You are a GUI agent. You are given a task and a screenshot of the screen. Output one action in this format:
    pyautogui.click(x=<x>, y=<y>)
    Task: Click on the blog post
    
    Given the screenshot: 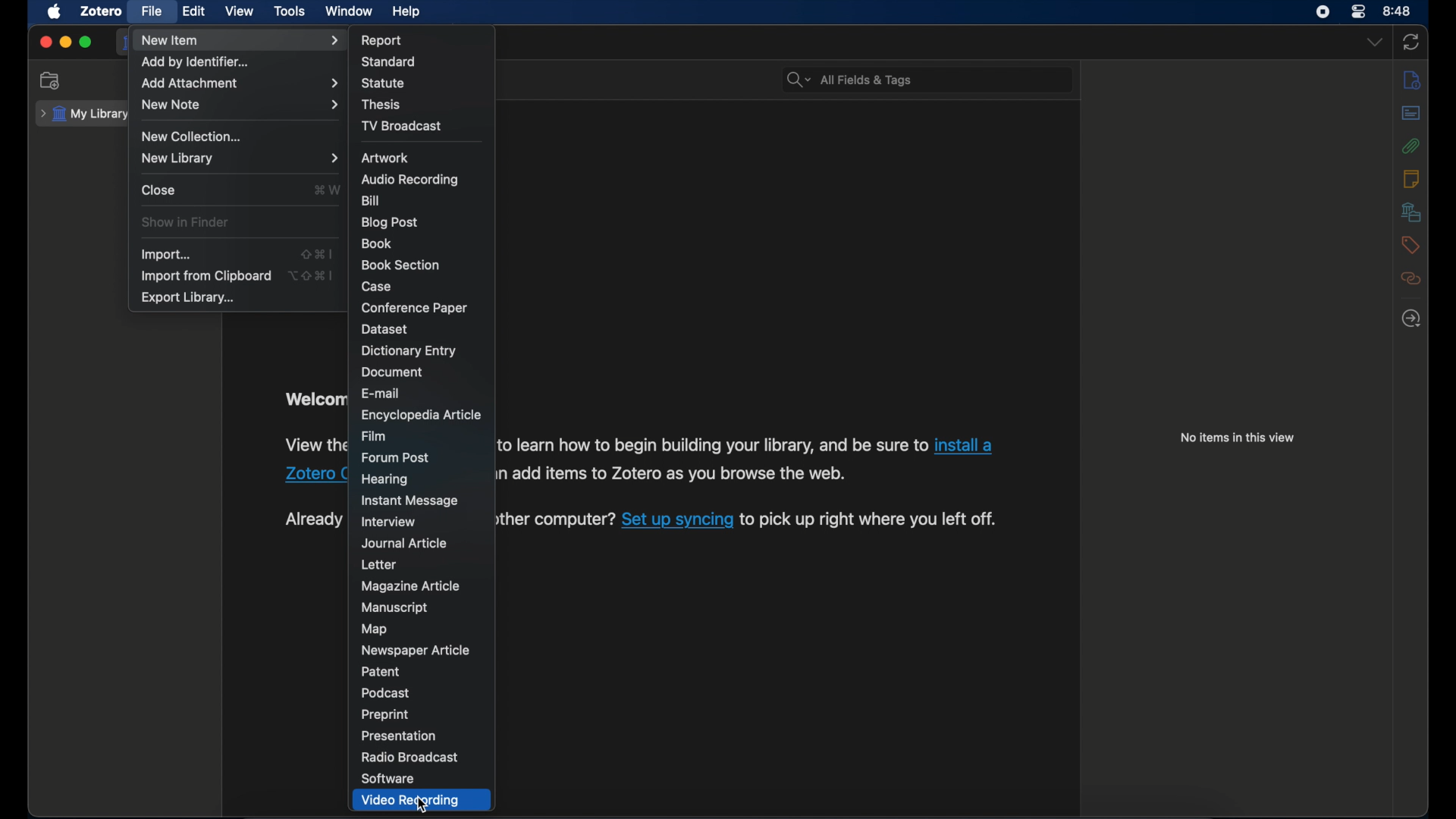 What is the action you would take?
    pyautogui.click(x=391, y=222)
    